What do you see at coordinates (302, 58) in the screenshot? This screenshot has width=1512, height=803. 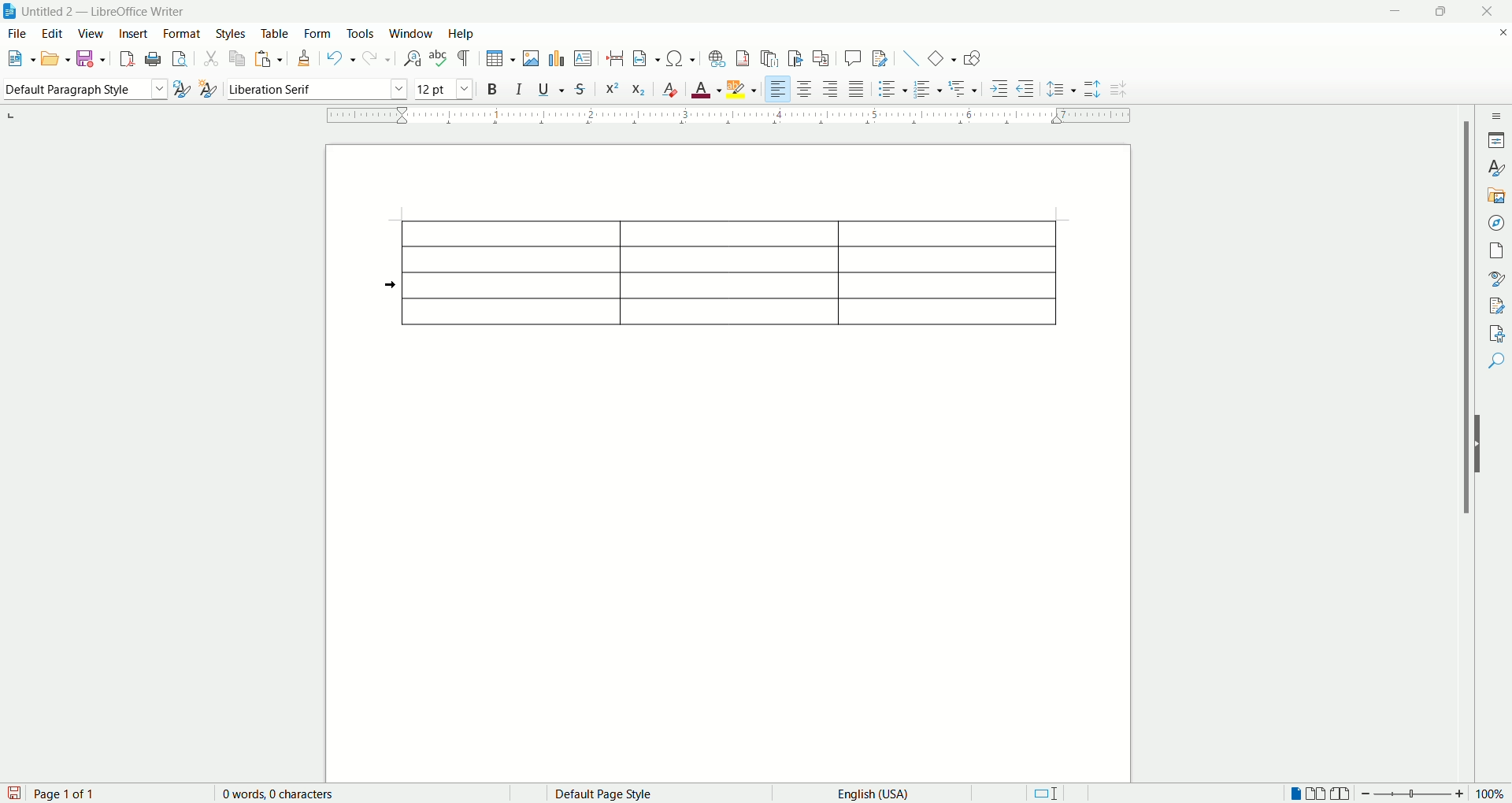 I see `clone formatting` at bounding box center [302, 58].